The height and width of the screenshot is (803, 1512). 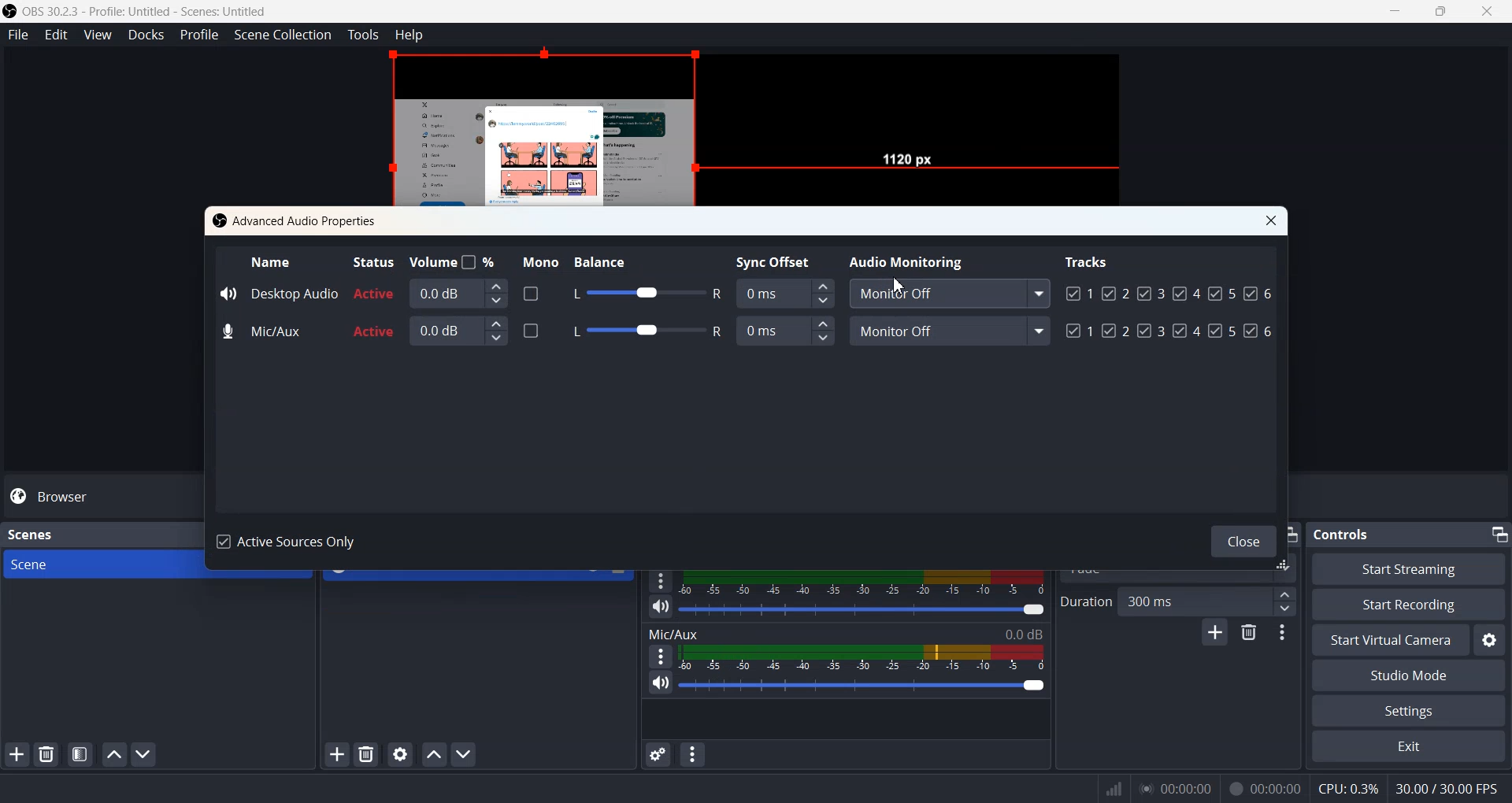 I want to click on Mic/Aux, so click(x=265, y=332).